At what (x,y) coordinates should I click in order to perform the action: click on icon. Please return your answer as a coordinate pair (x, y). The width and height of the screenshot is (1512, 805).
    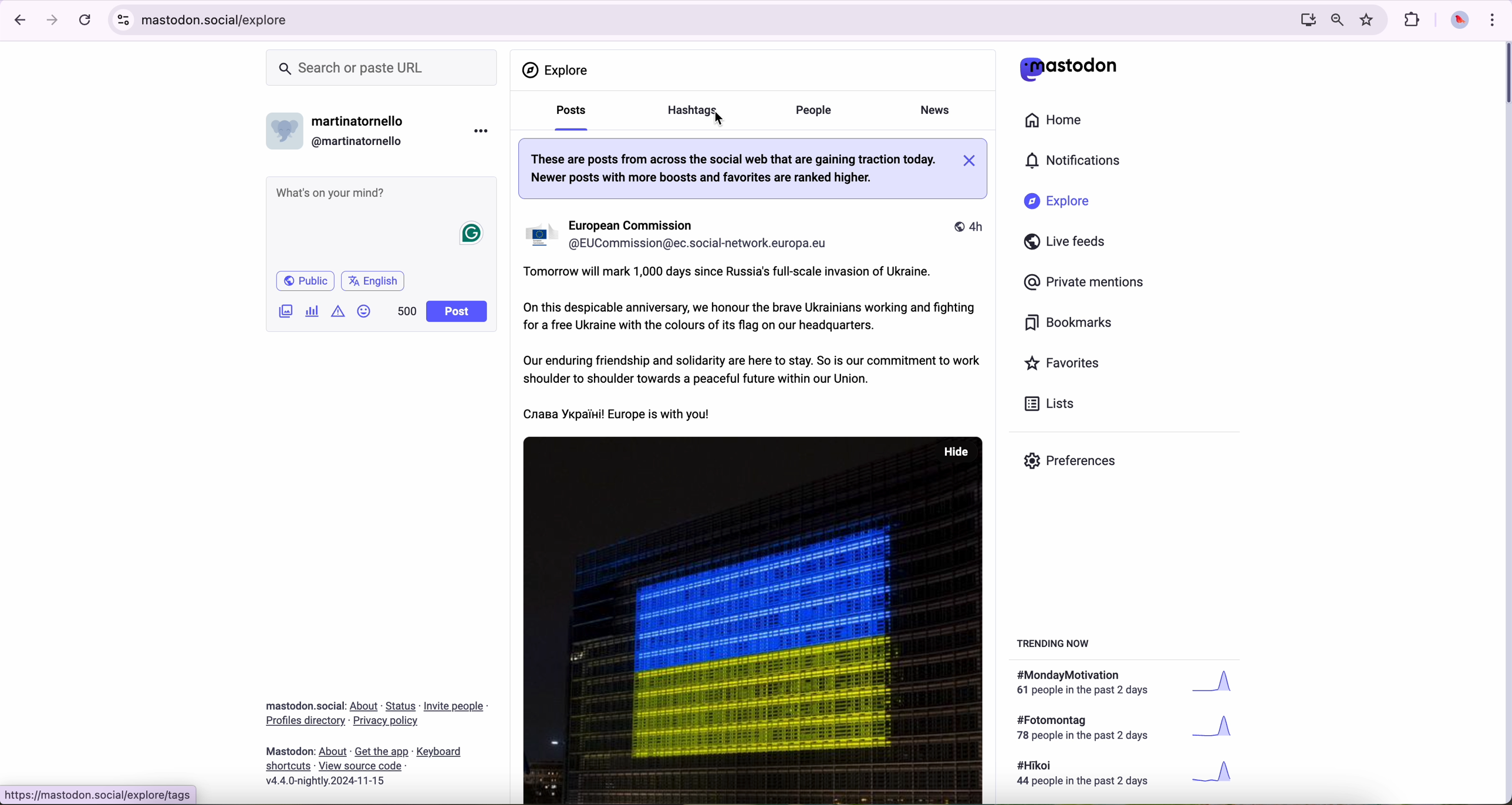
    Looking at the image, I should click on (338, 311).